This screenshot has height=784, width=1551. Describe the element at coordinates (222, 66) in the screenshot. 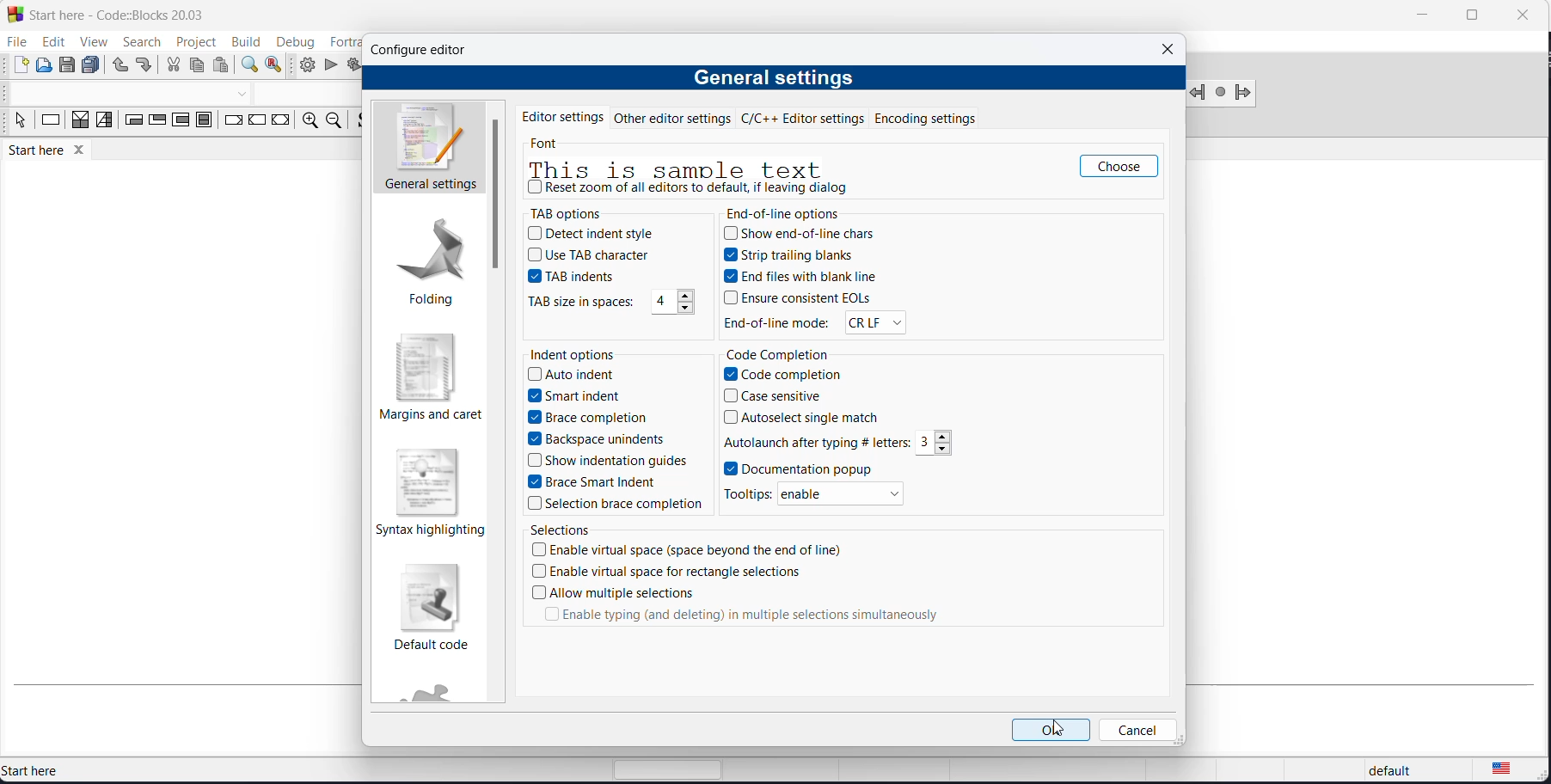

I see `paste` at that location.